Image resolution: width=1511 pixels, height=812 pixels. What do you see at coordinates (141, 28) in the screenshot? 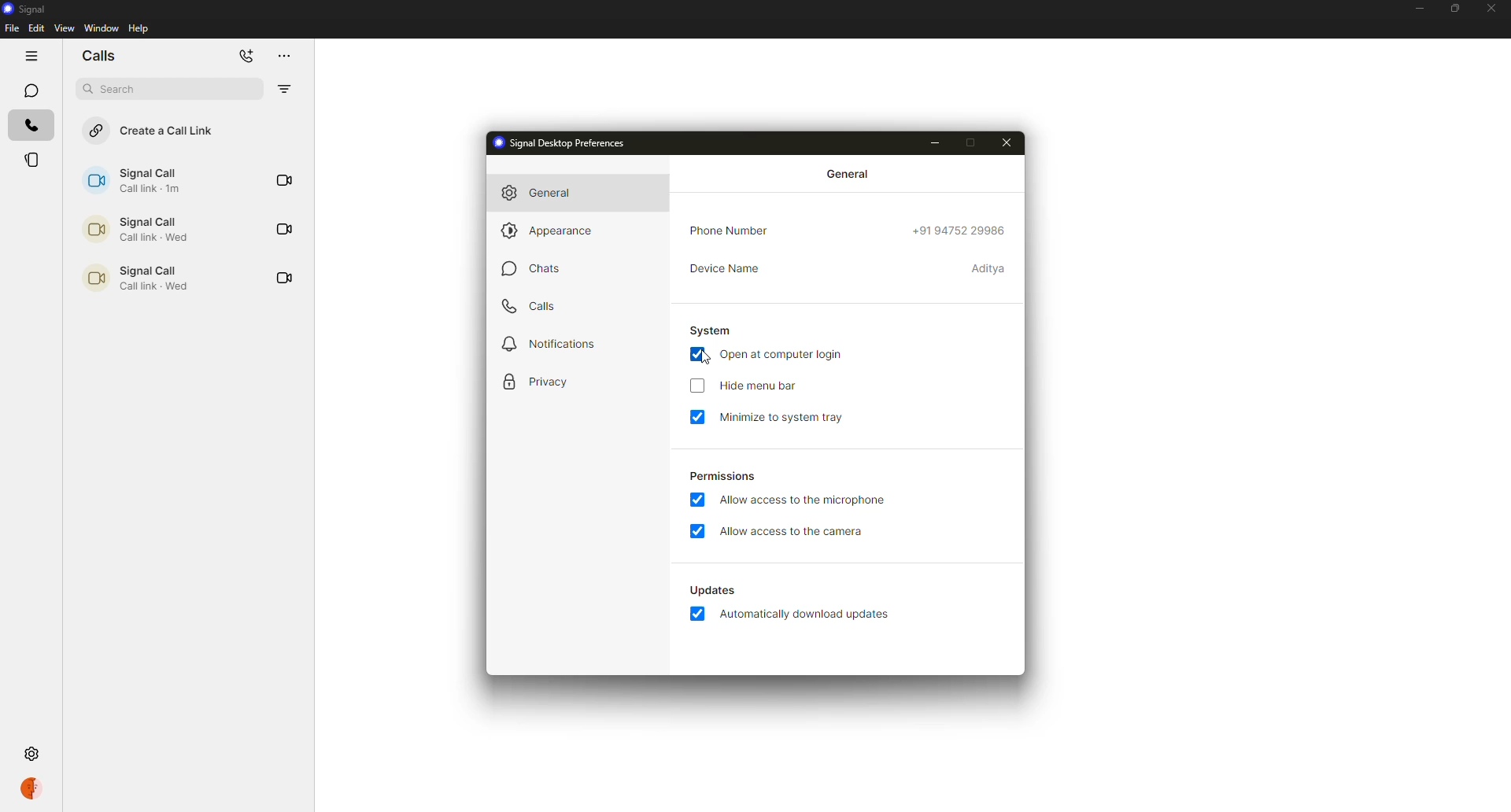
I see `help` at bounding box center [141, 28].